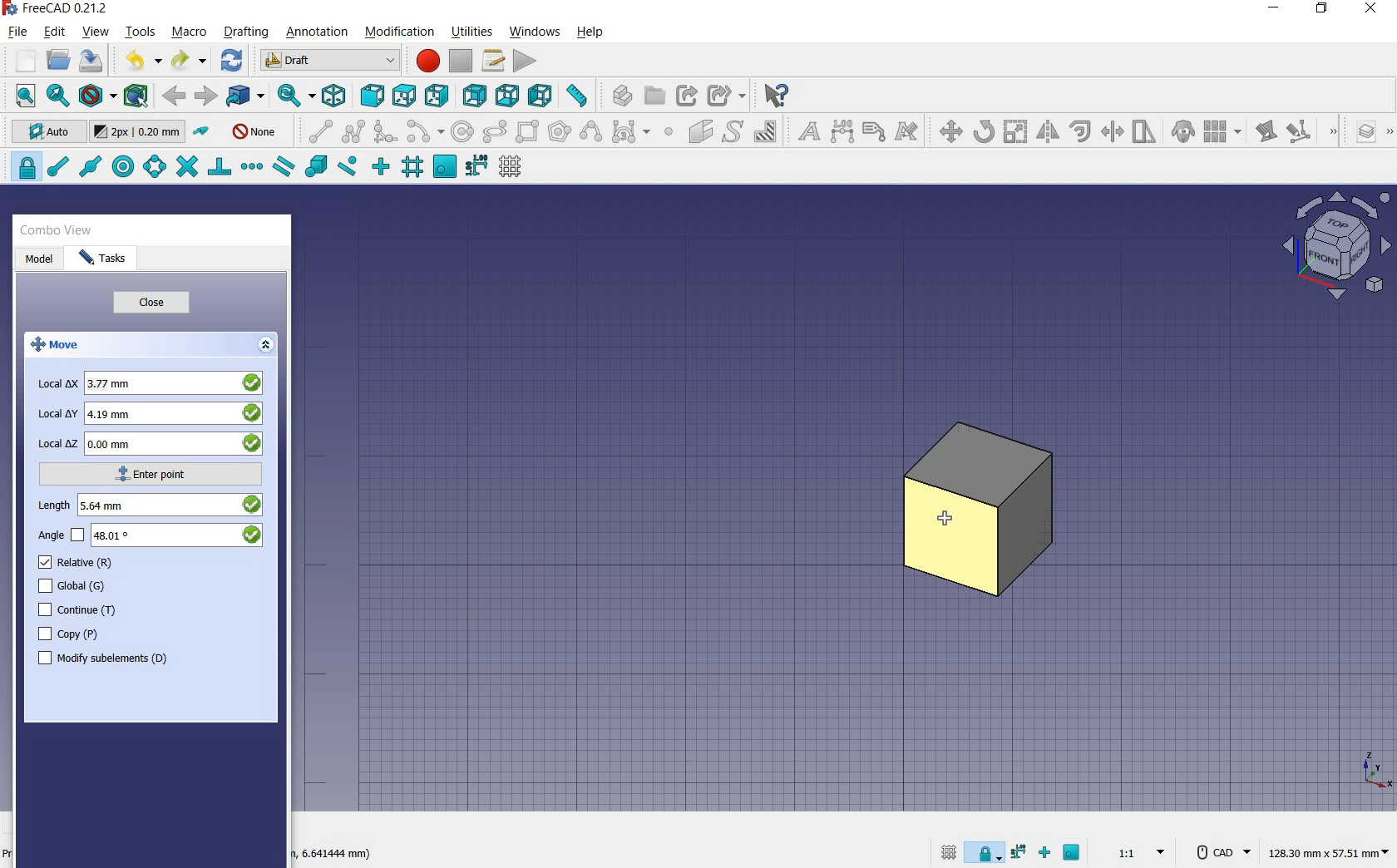 The height and width of the screenshot is (868, 1397). What do you see at coordinates (142, 33) in the screenshot?
I see `tools` at bounding box center [142, 33].